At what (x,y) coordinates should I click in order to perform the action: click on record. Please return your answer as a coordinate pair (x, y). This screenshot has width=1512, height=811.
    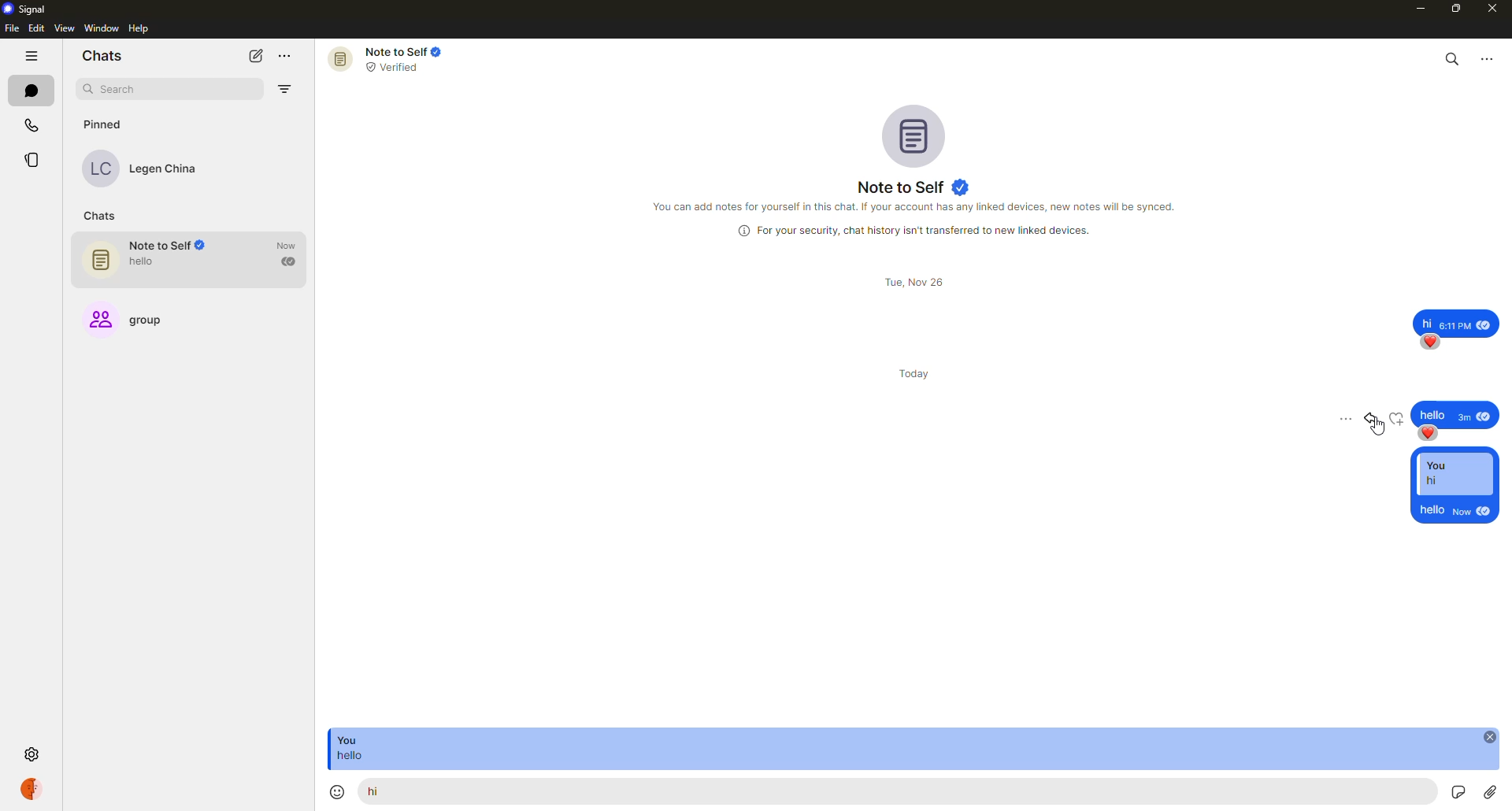
    Looking at the image, I should click on (1454, 791).